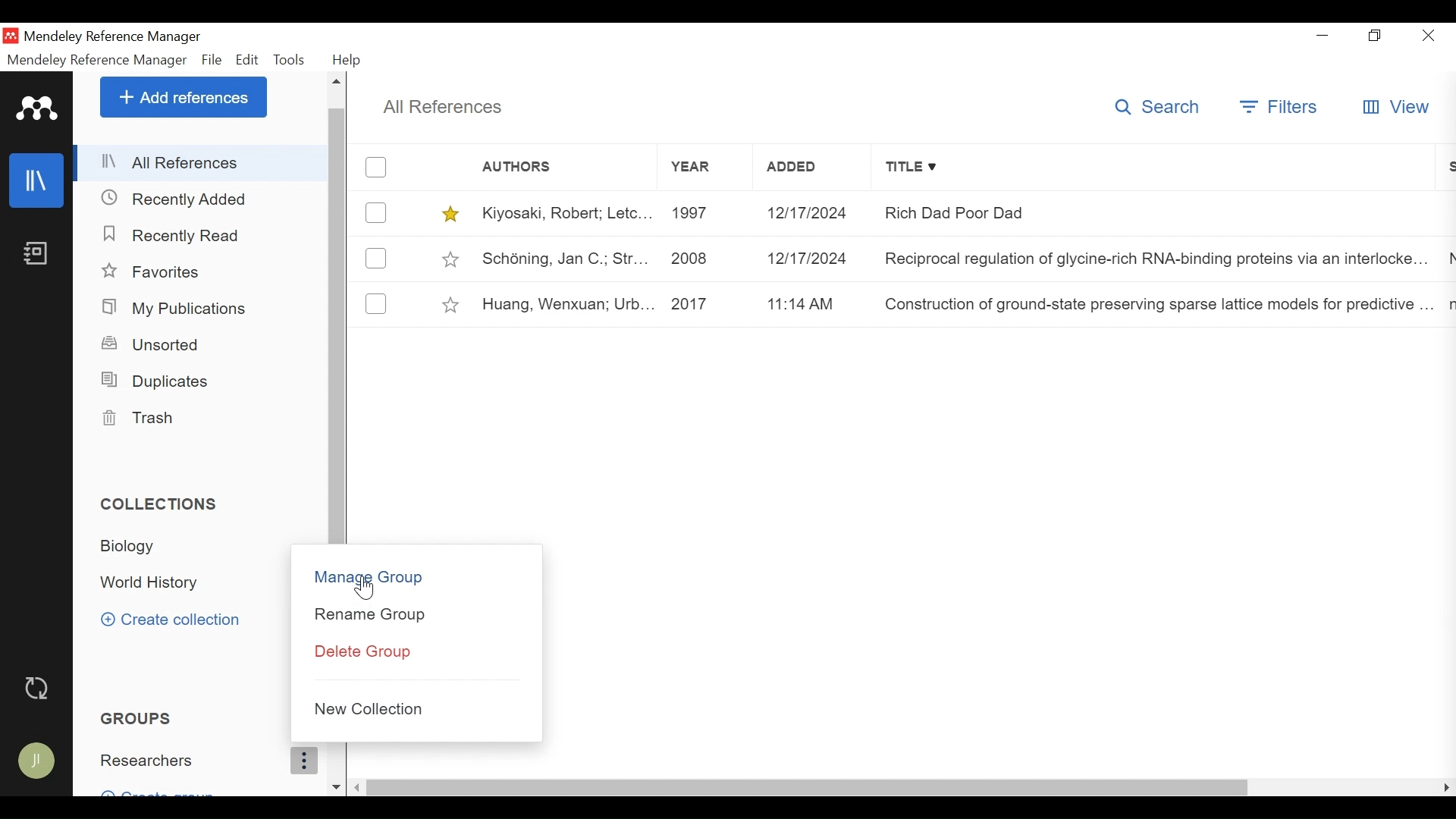  What do you see at coordinates (1323, 33) in the screenshot?
I see `minimize` at bounding box center [1323, 33].